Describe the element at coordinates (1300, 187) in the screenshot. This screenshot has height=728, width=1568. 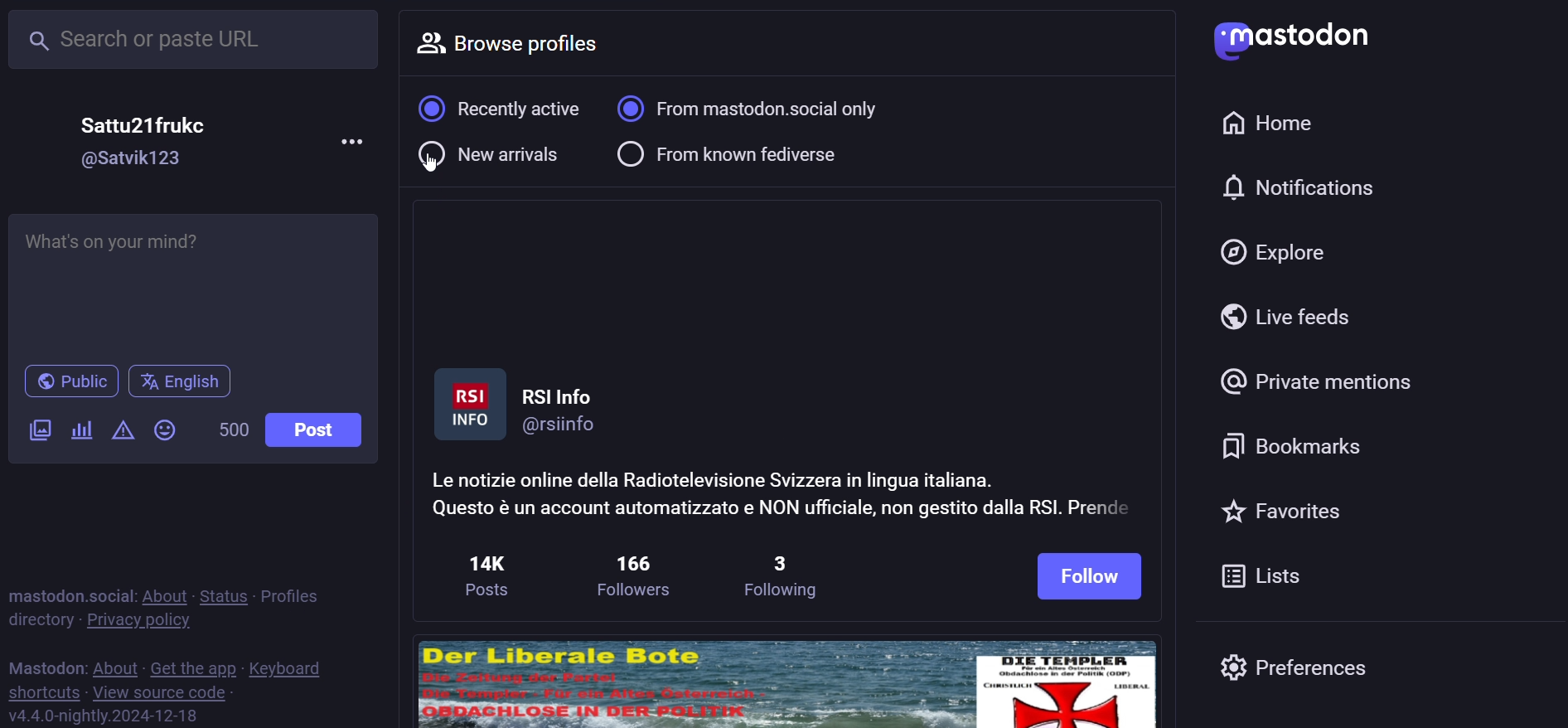
I see `notification` at that location.